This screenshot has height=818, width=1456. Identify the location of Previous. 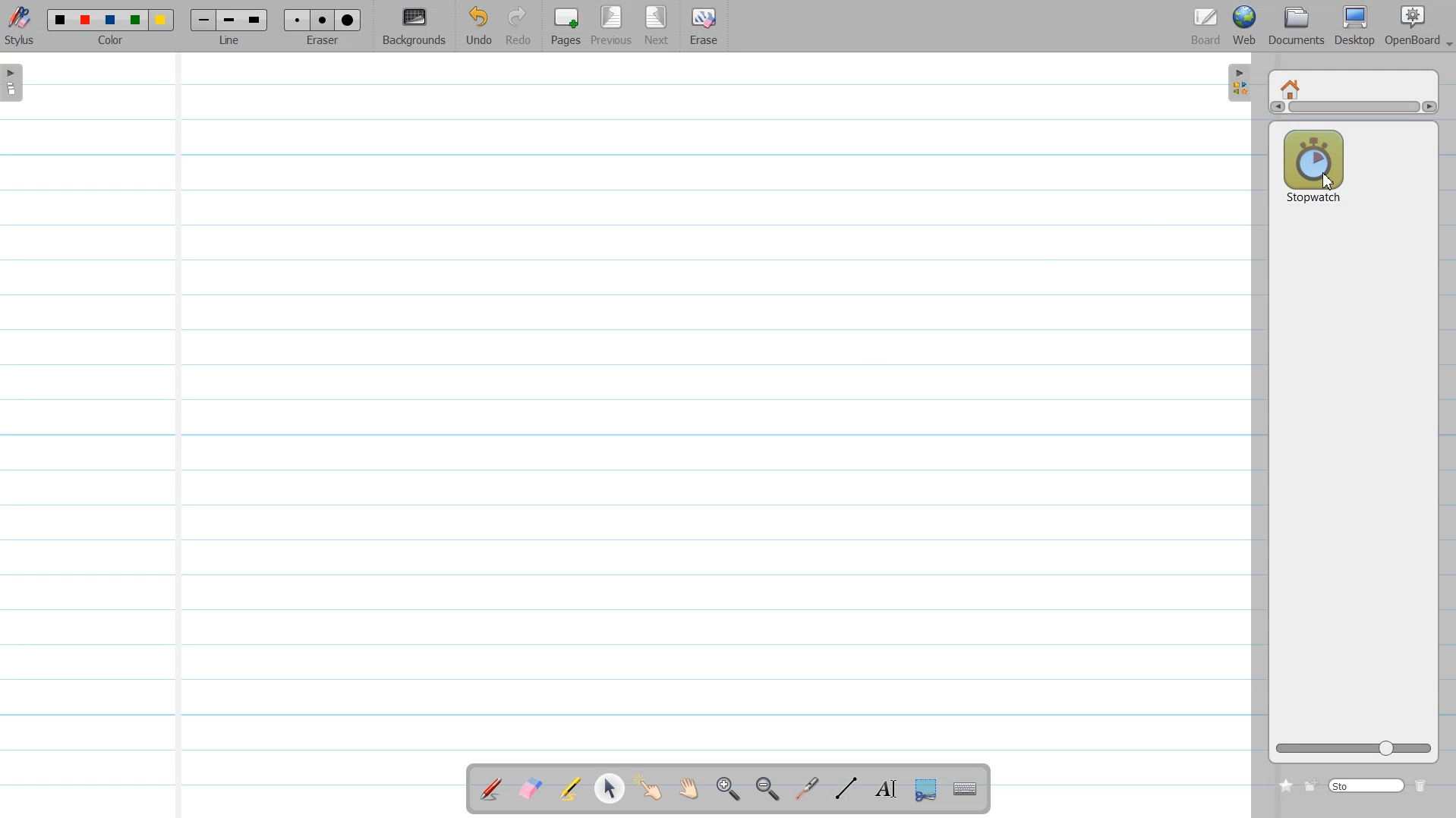
(615, 27).